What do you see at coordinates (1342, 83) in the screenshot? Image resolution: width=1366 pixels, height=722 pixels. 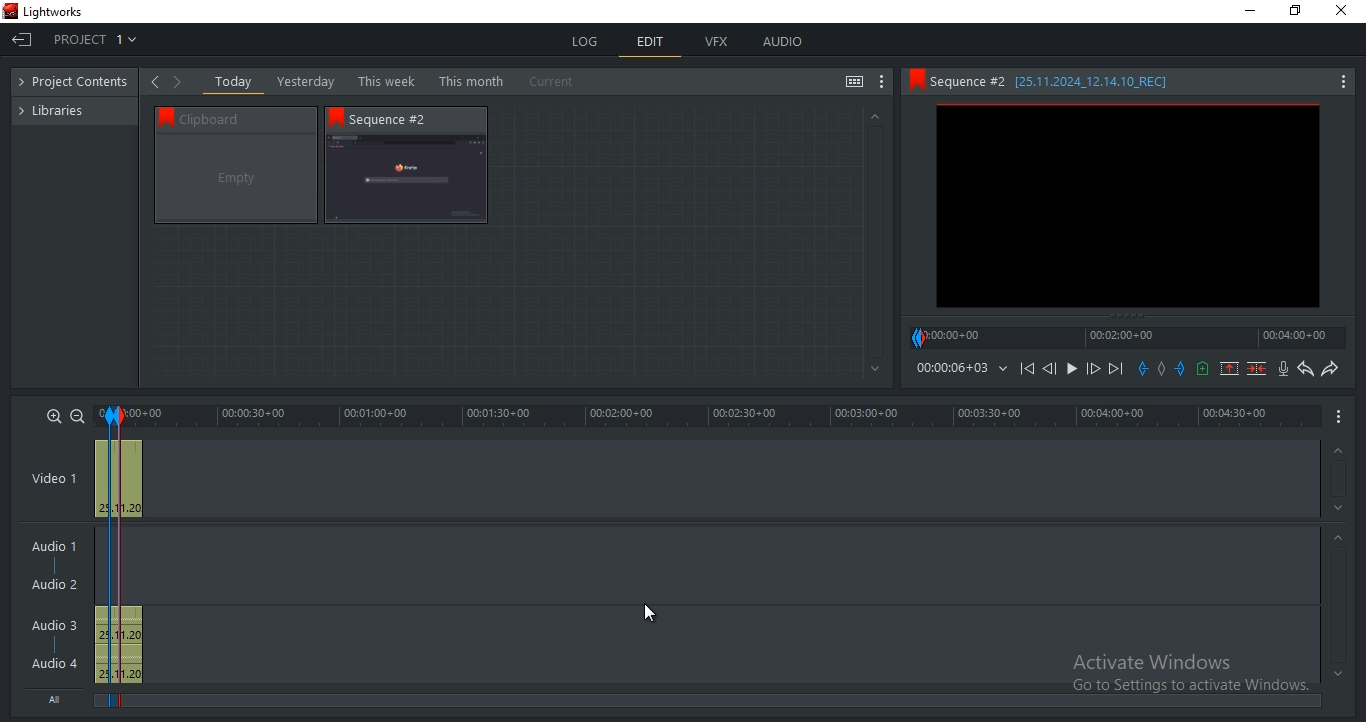 I see `Show settings menu` at bounding box center [1342, 83].